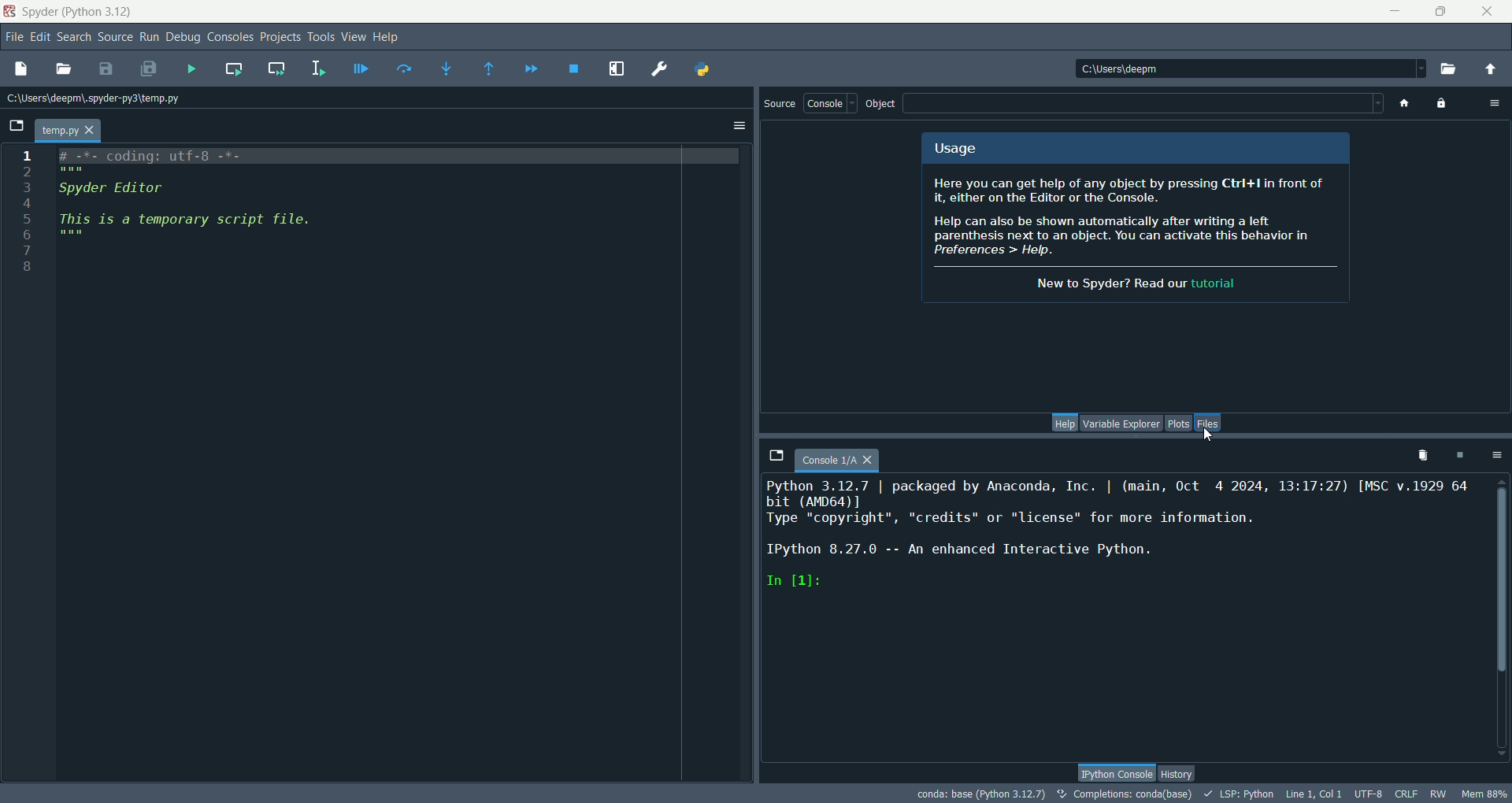 Image resolution: width=1512 pixels, height=803 pixels. What do you see at coordinates (42, 37) in the screenshot?
I see `edit` at bounding box center [42, 37].